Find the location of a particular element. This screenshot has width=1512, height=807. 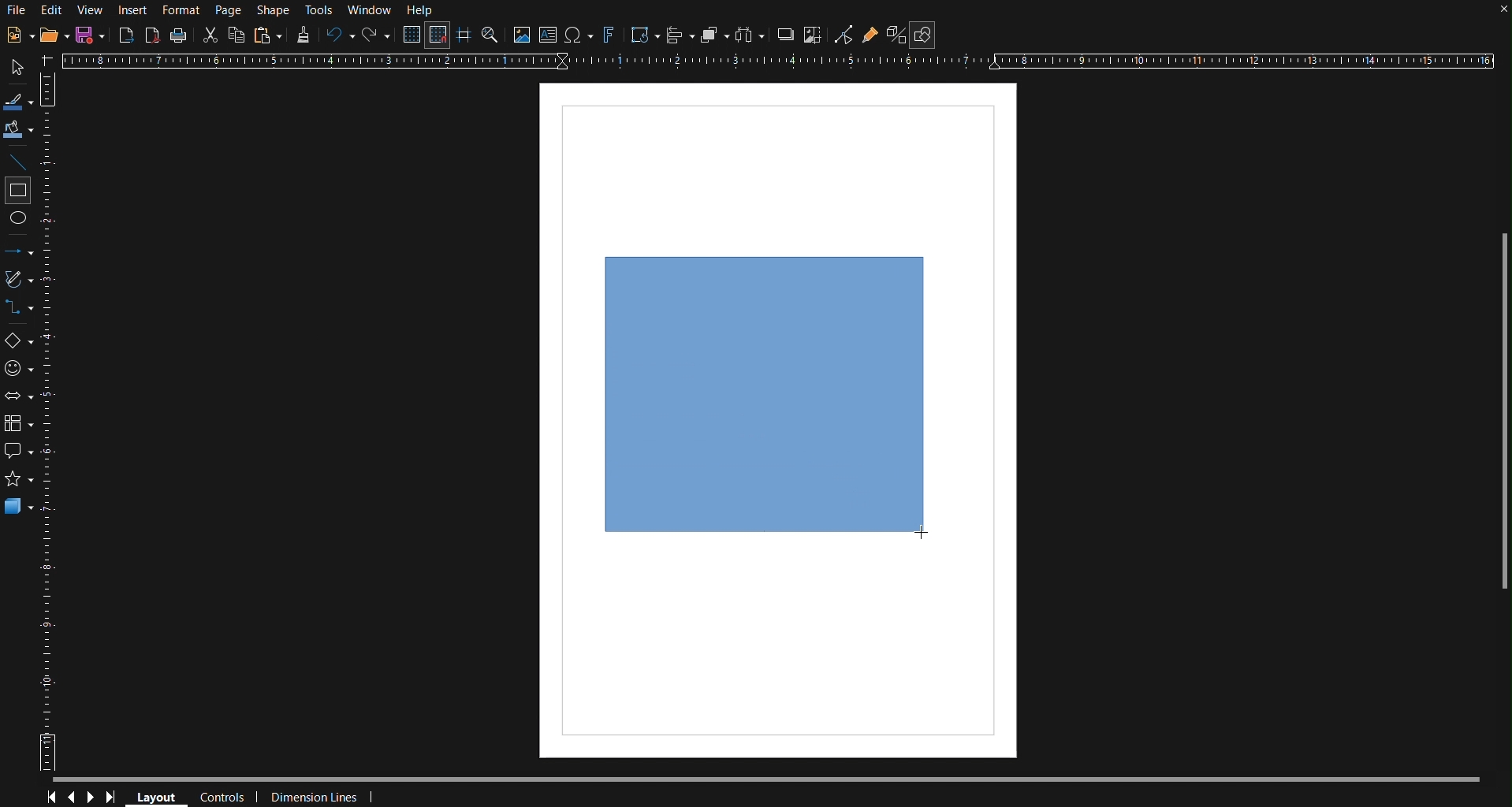

Horizontal Ruler is located at coordinates (776, 59).